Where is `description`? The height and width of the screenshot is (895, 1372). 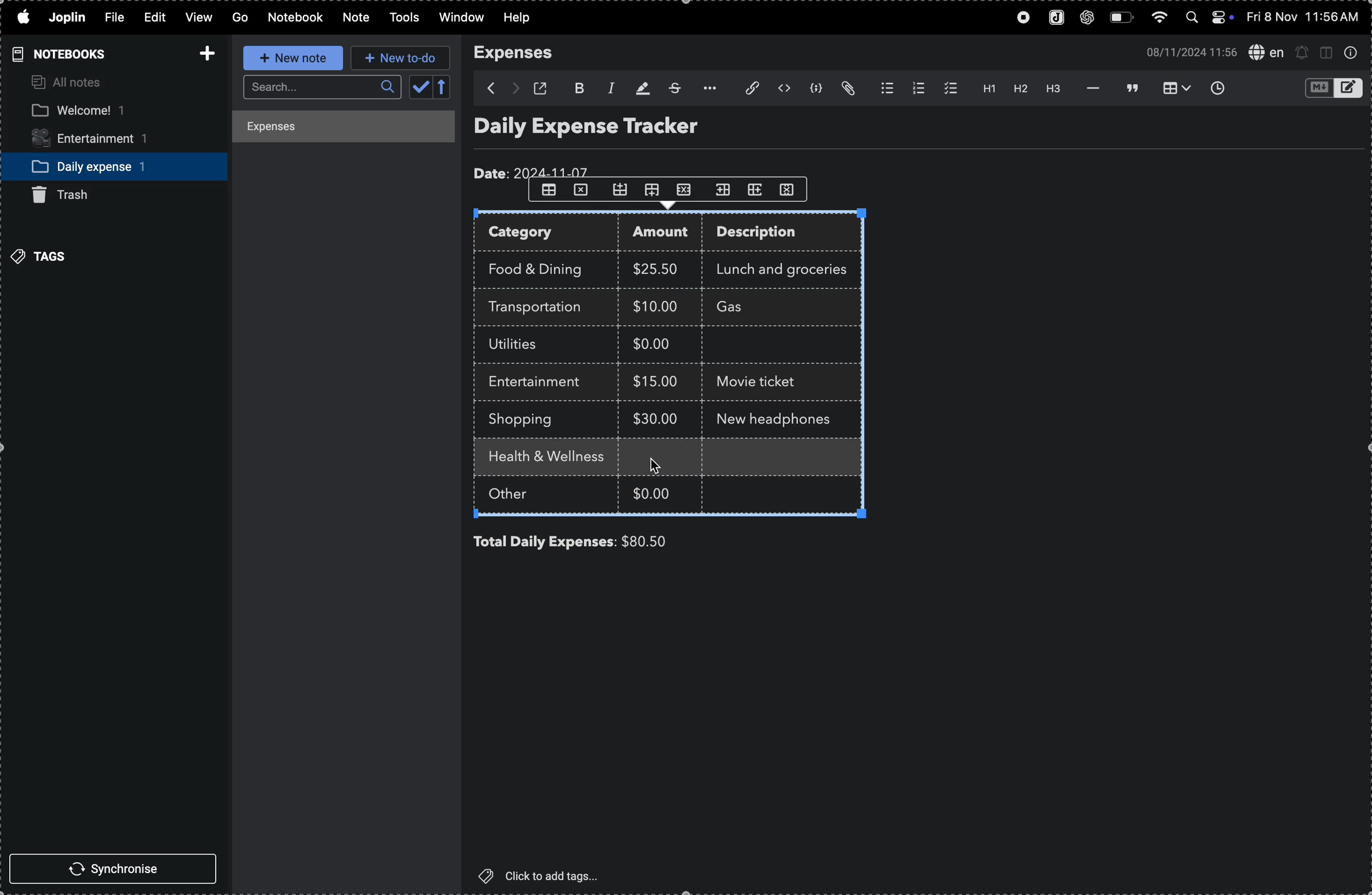
description is located at coordinates (768, 234).